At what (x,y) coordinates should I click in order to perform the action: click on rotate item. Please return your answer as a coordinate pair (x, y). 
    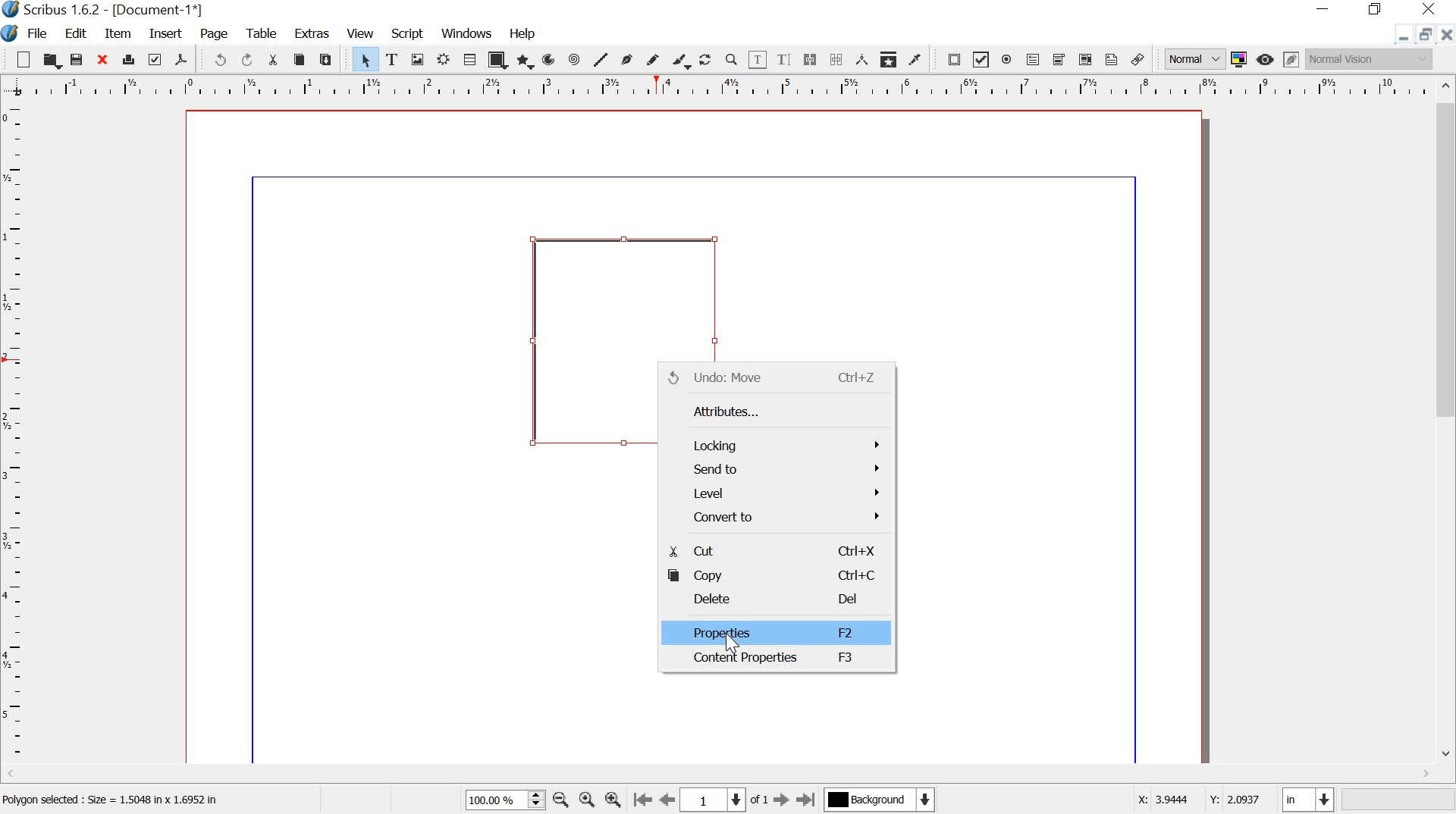
    Looking at the image, I should click on (706, 61).